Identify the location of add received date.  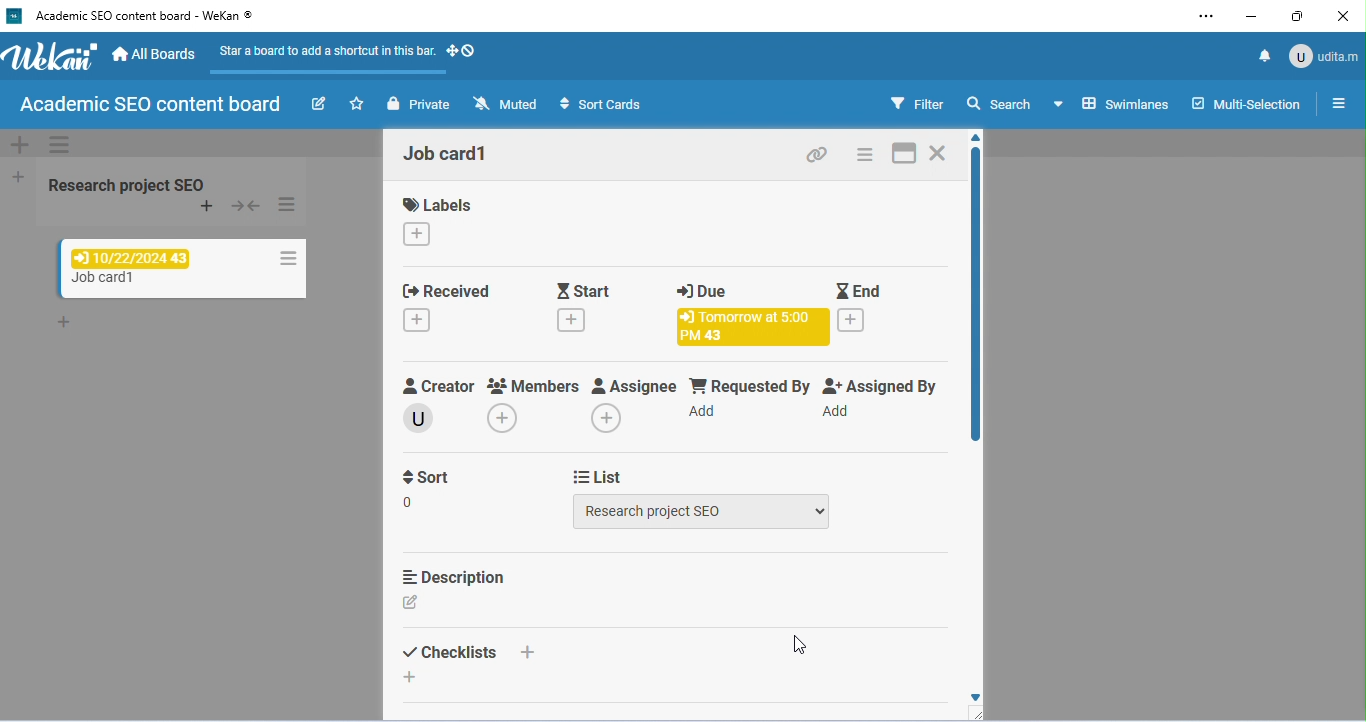
(417, 319).